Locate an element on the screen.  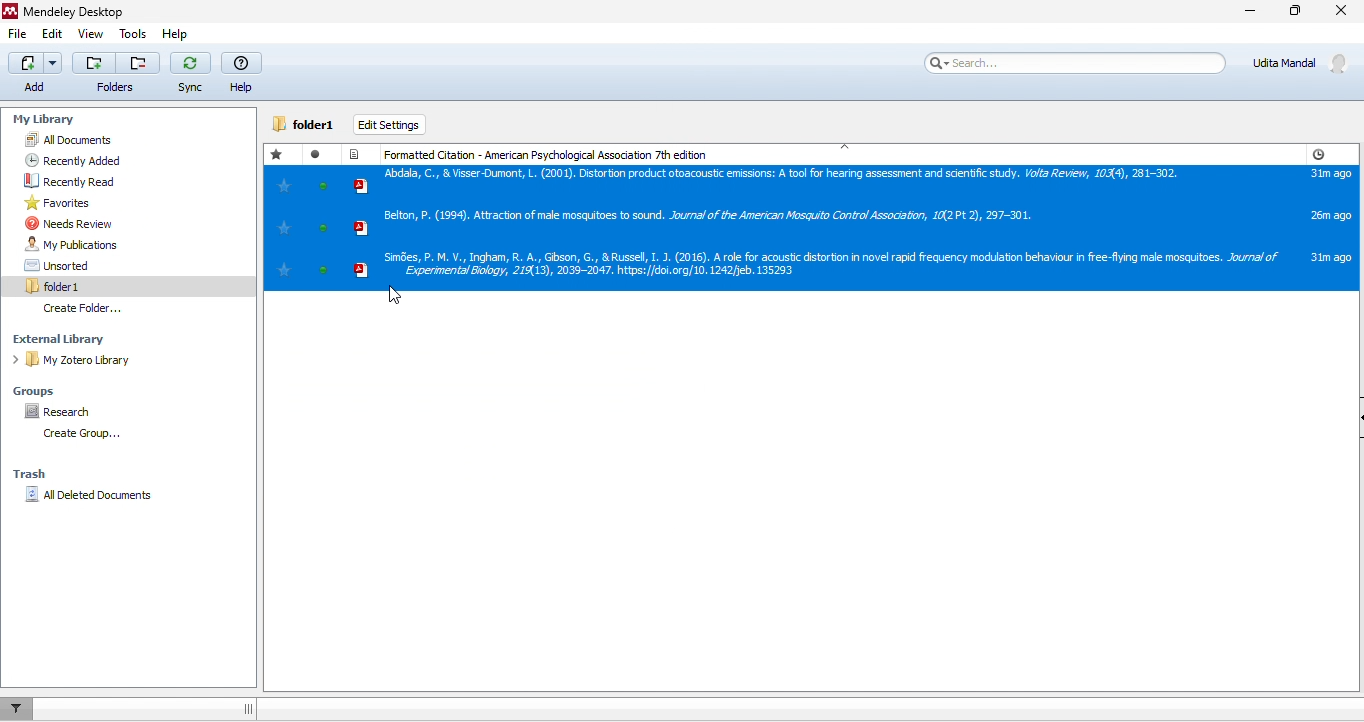
my library is located at coordinates (90, 120).